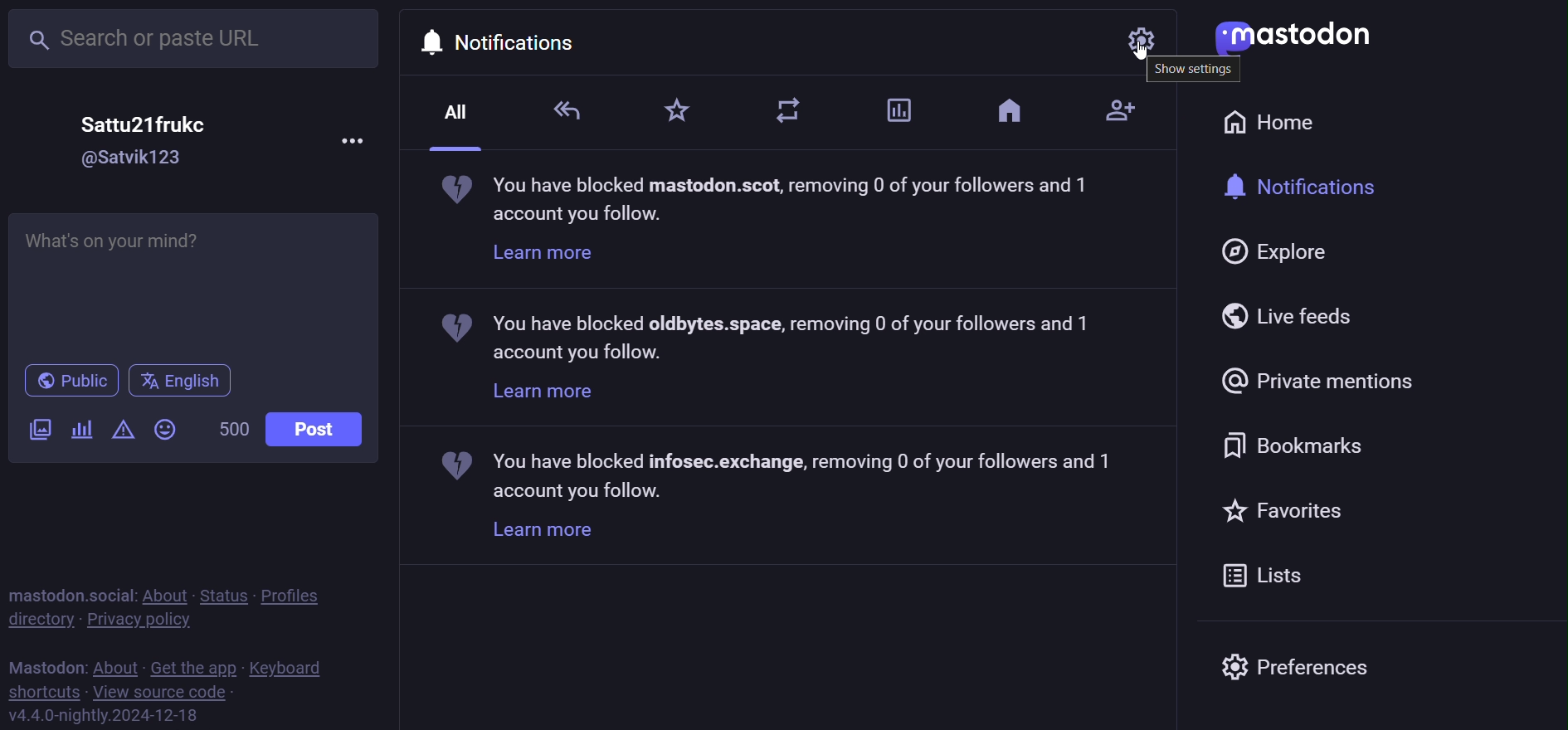  What do you see at coordinates (1297, 440) in the screenshot?
I see `bookmark` at bounding box center [1297, 440].